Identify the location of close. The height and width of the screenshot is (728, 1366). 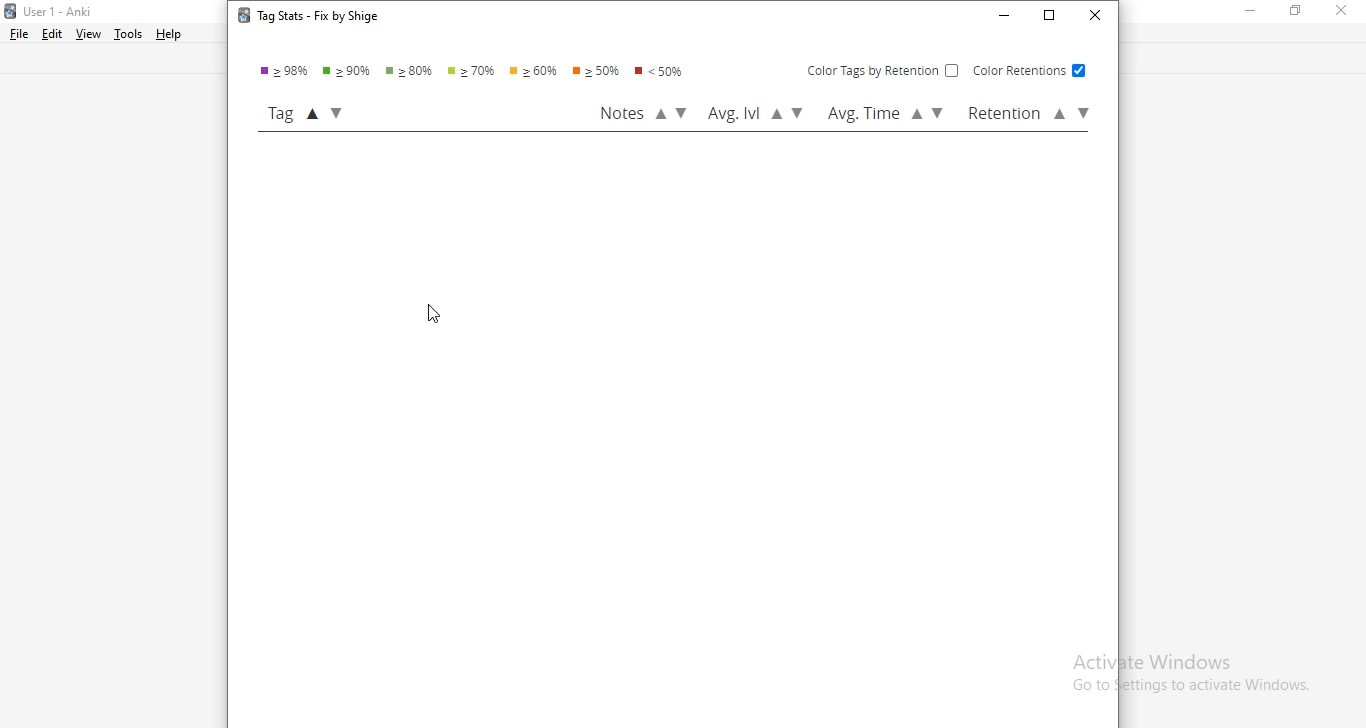
(1094, 16).